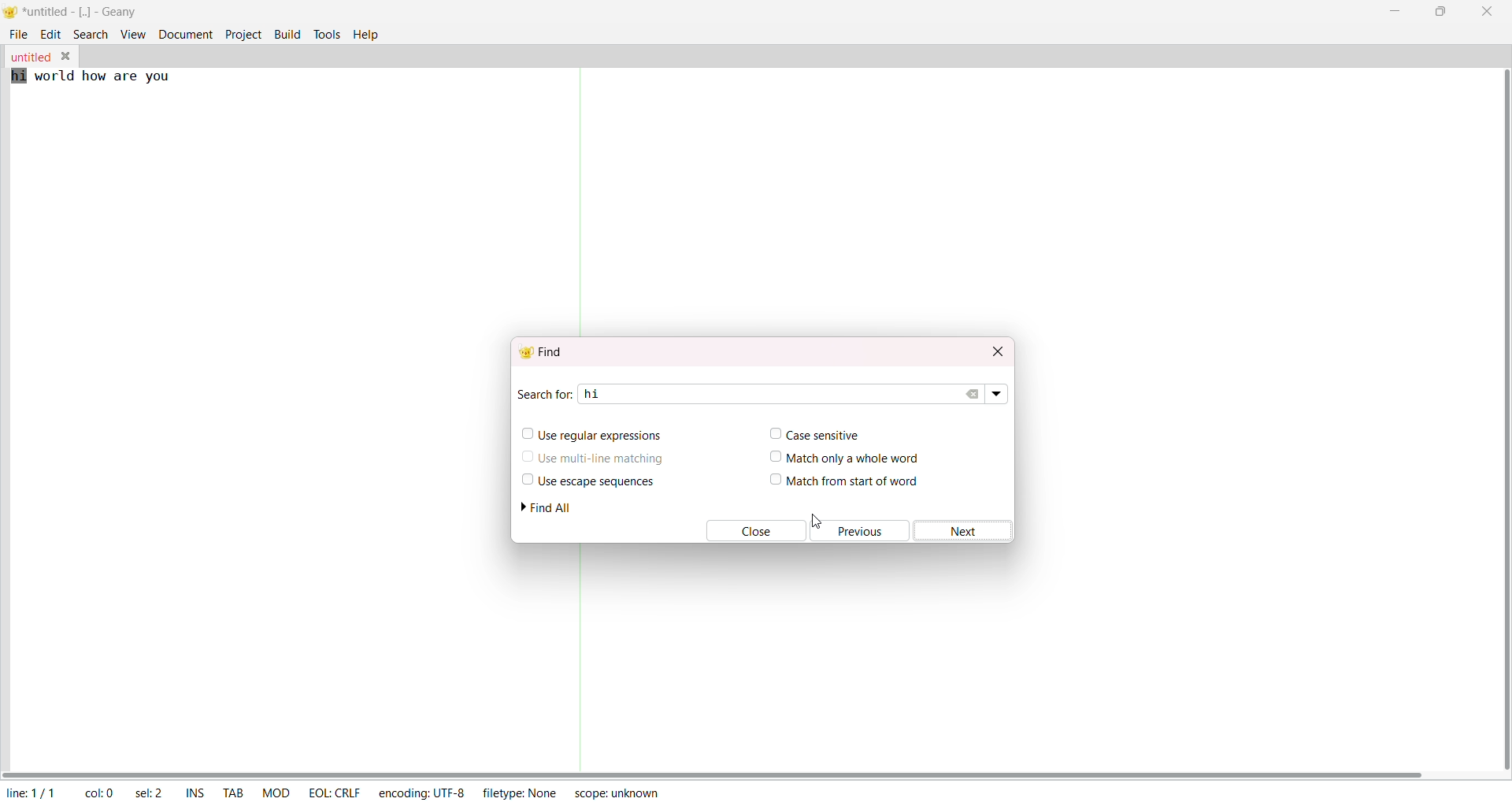 The height and width of the screenshot is (802, 1512). What do you see at coordinates (965, 533) in the screenshot?
I see `next` at bounding box center [965, 533].